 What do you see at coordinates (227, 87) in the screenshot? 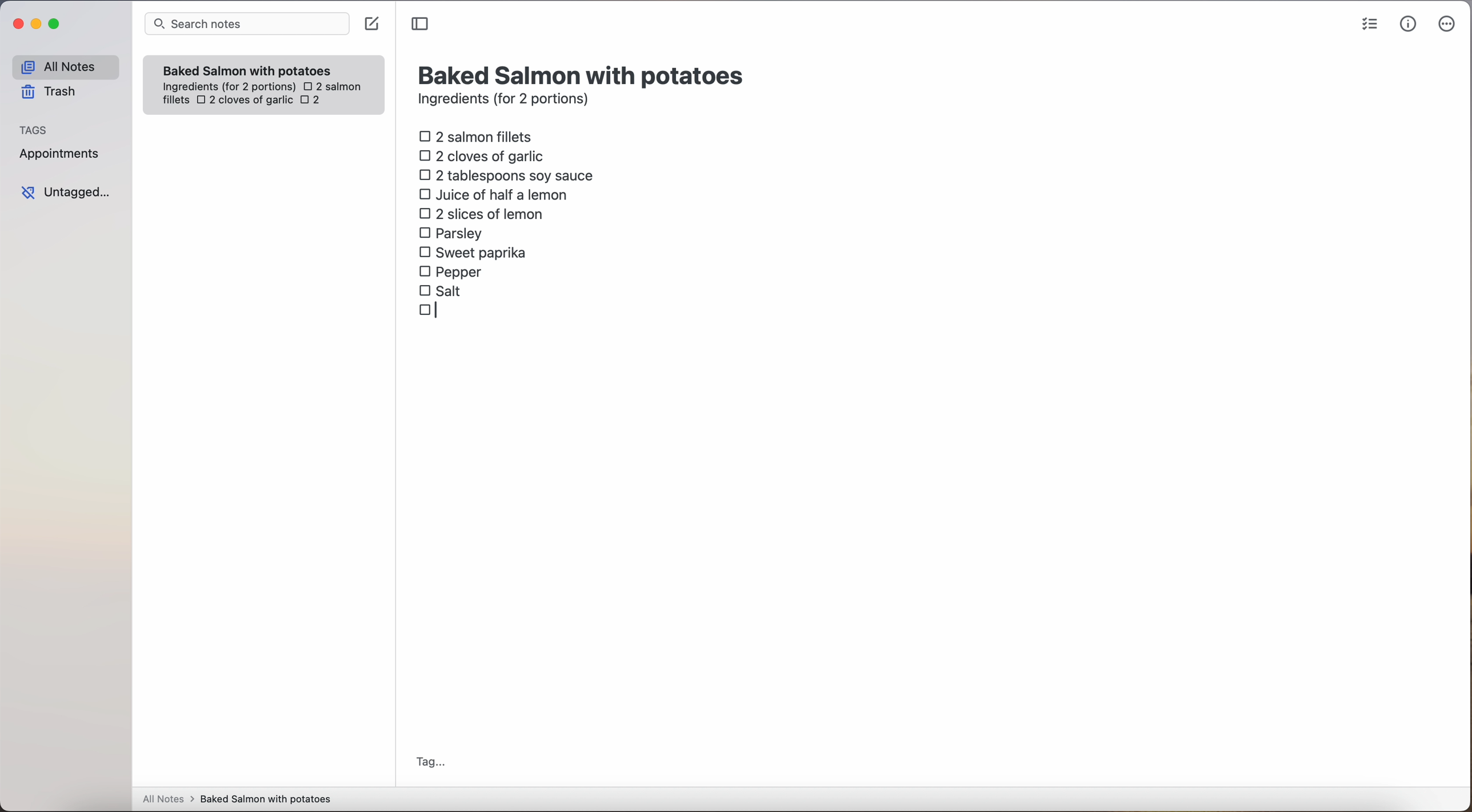
I see `ingredientes (for 2 portions)` at bounding box center [227, 87].